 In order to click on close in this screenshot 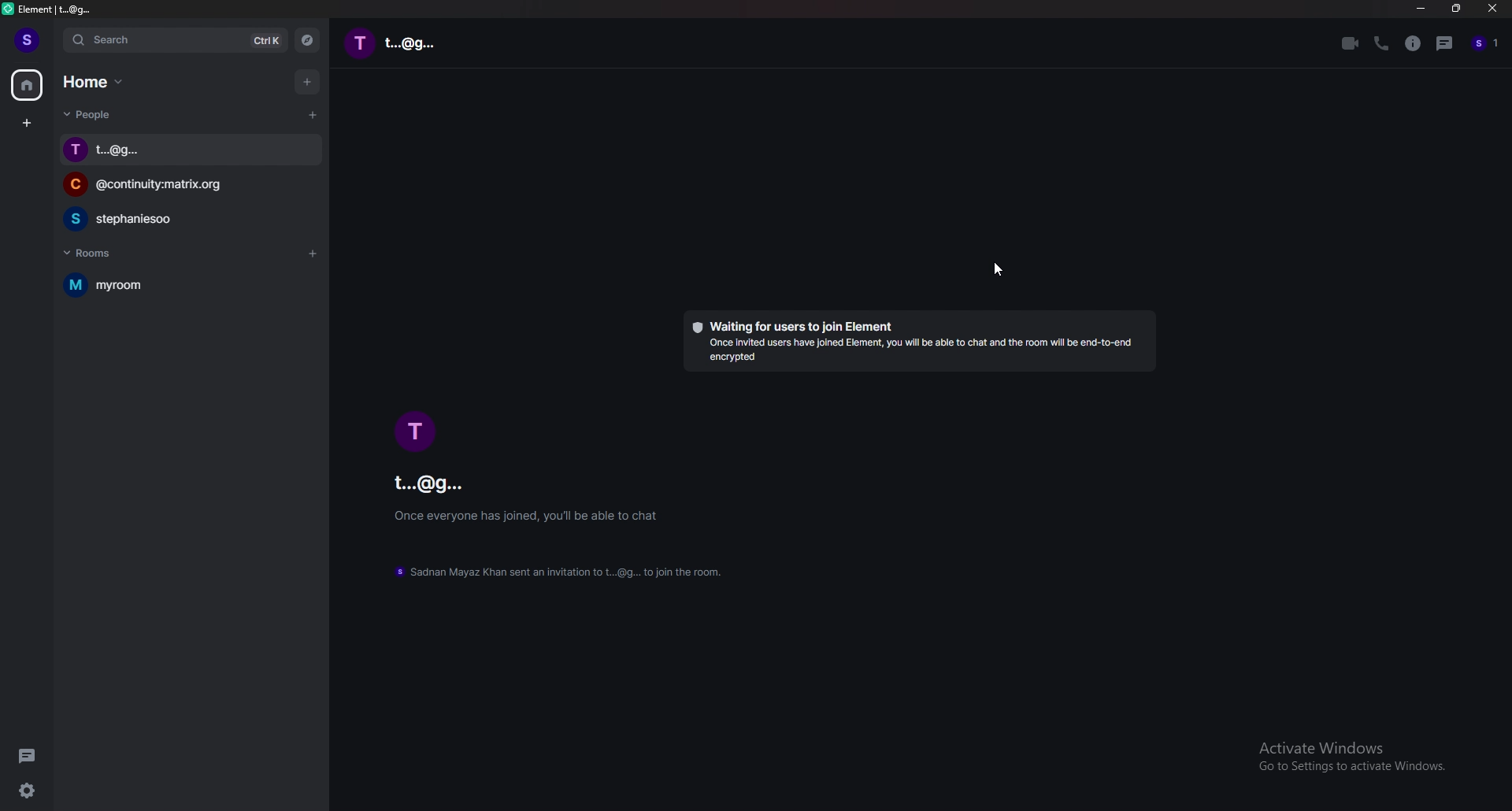, I will do `click(1492, 9)`.